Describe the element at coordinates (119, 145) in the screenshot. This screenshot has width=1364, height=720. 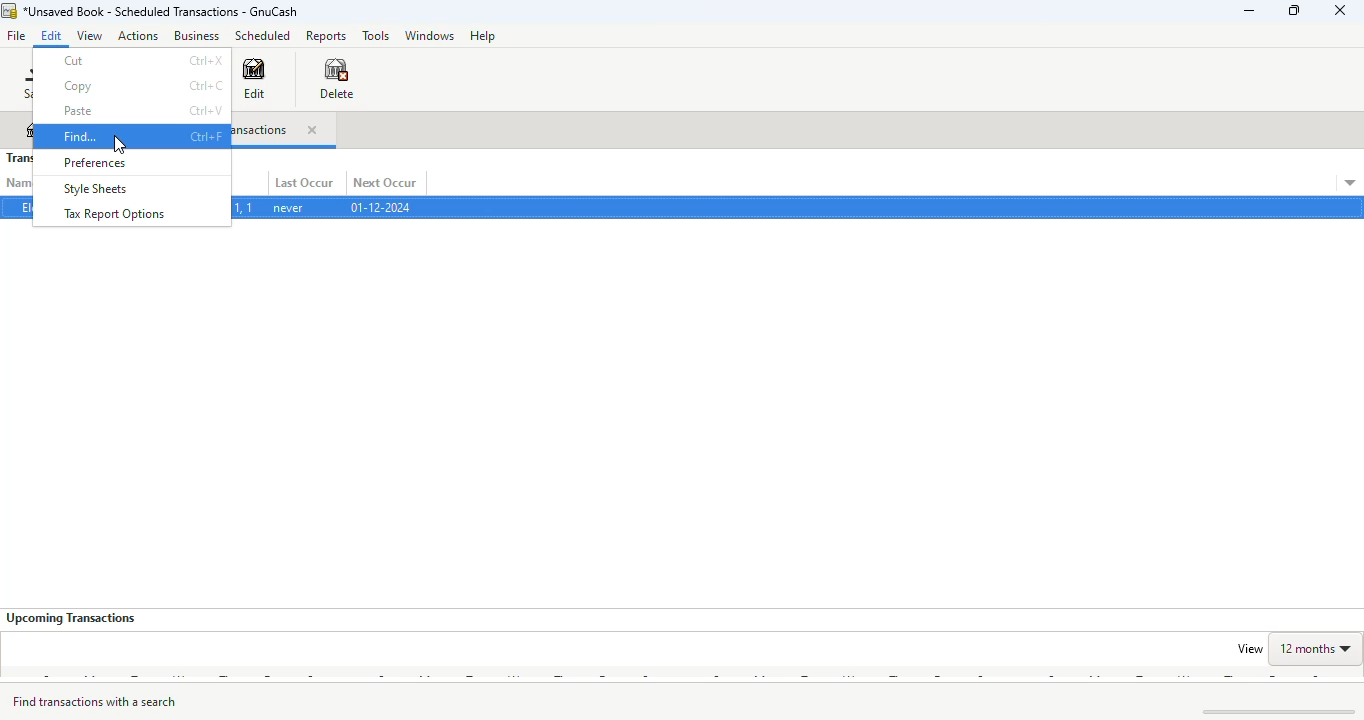
I see `cursor` at that location.